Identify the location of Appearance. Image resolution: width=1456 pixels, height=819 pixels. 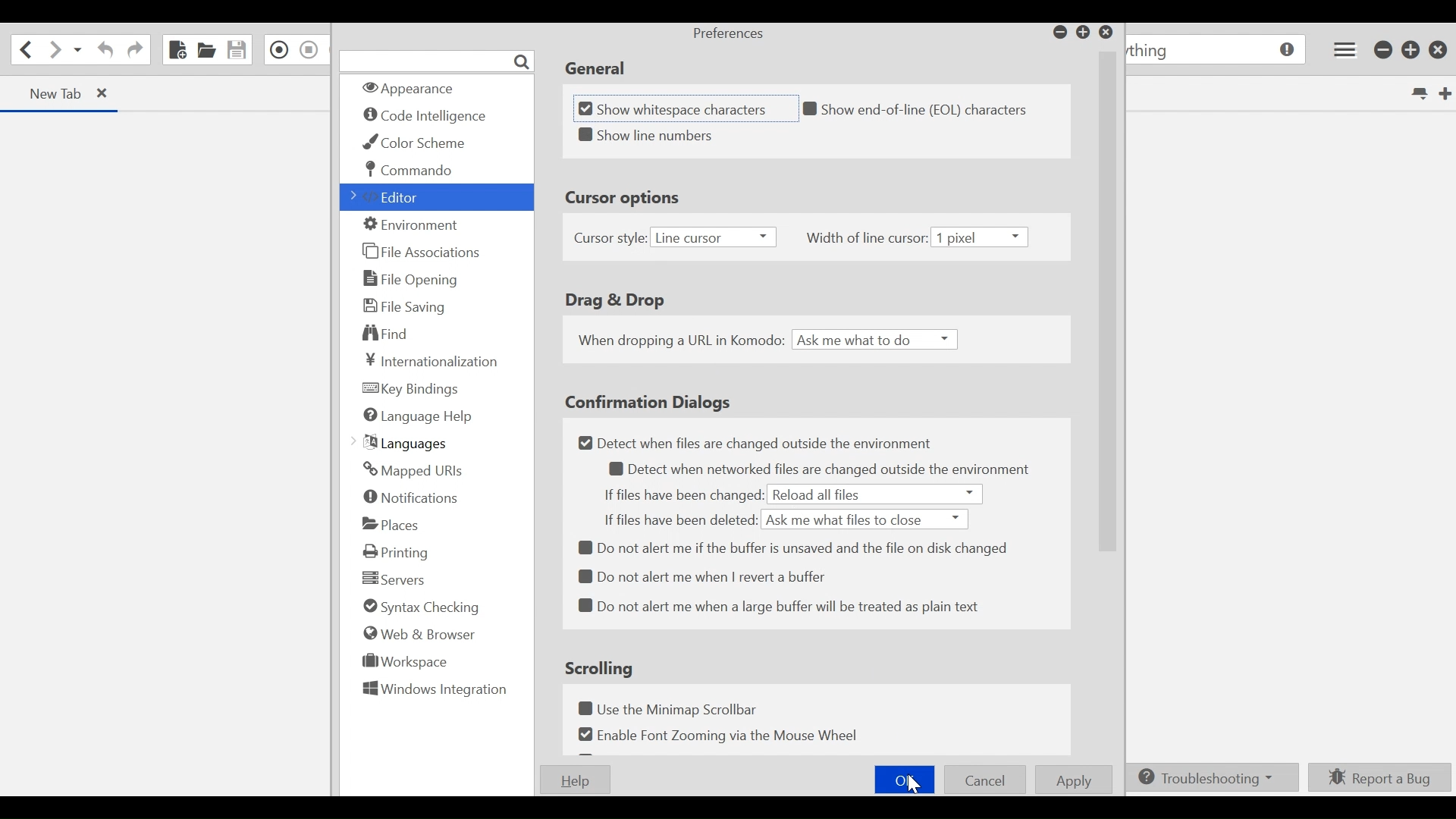
(435, 87).